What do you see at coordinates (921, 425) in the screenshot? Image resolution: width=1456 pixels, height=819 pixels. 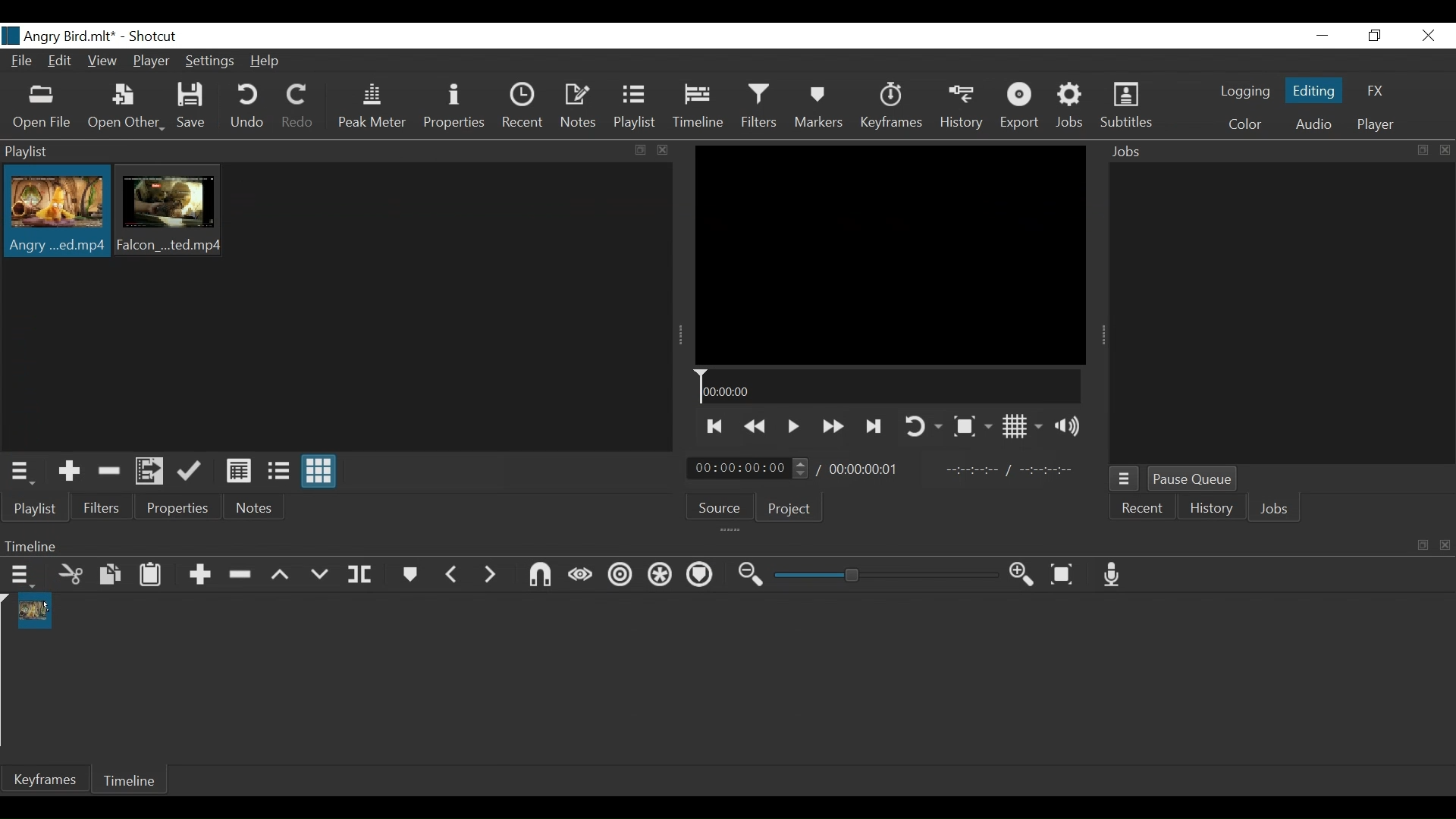 I see `Toggle player looping` at bounding box center [921, 425].